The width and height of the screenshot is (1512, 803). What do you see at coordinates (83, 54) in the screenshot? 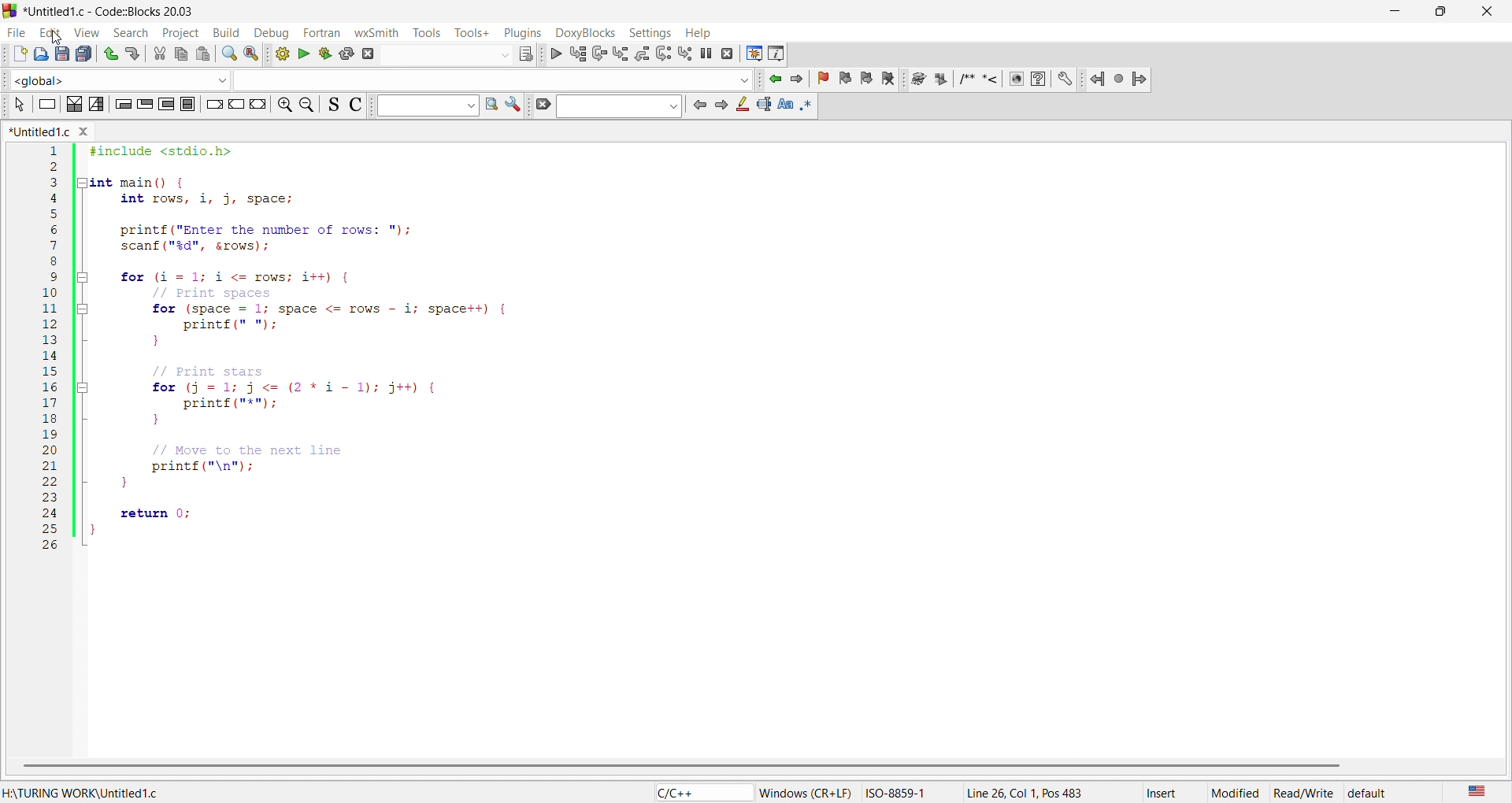
I see `save all` at bounding box center [83, 54].